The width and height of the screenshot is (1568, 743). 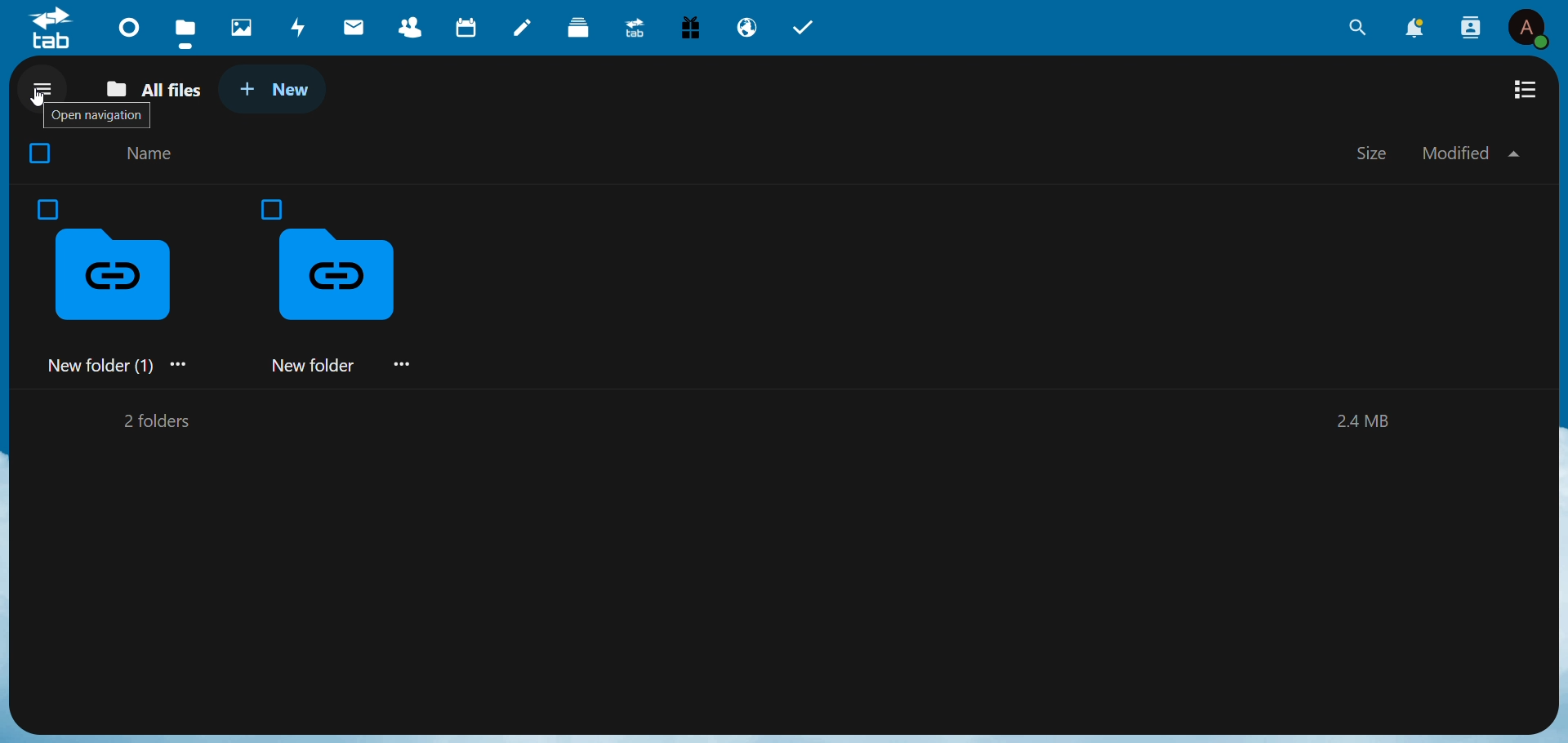 I want to click on memory, so click(x=1366, y=423).